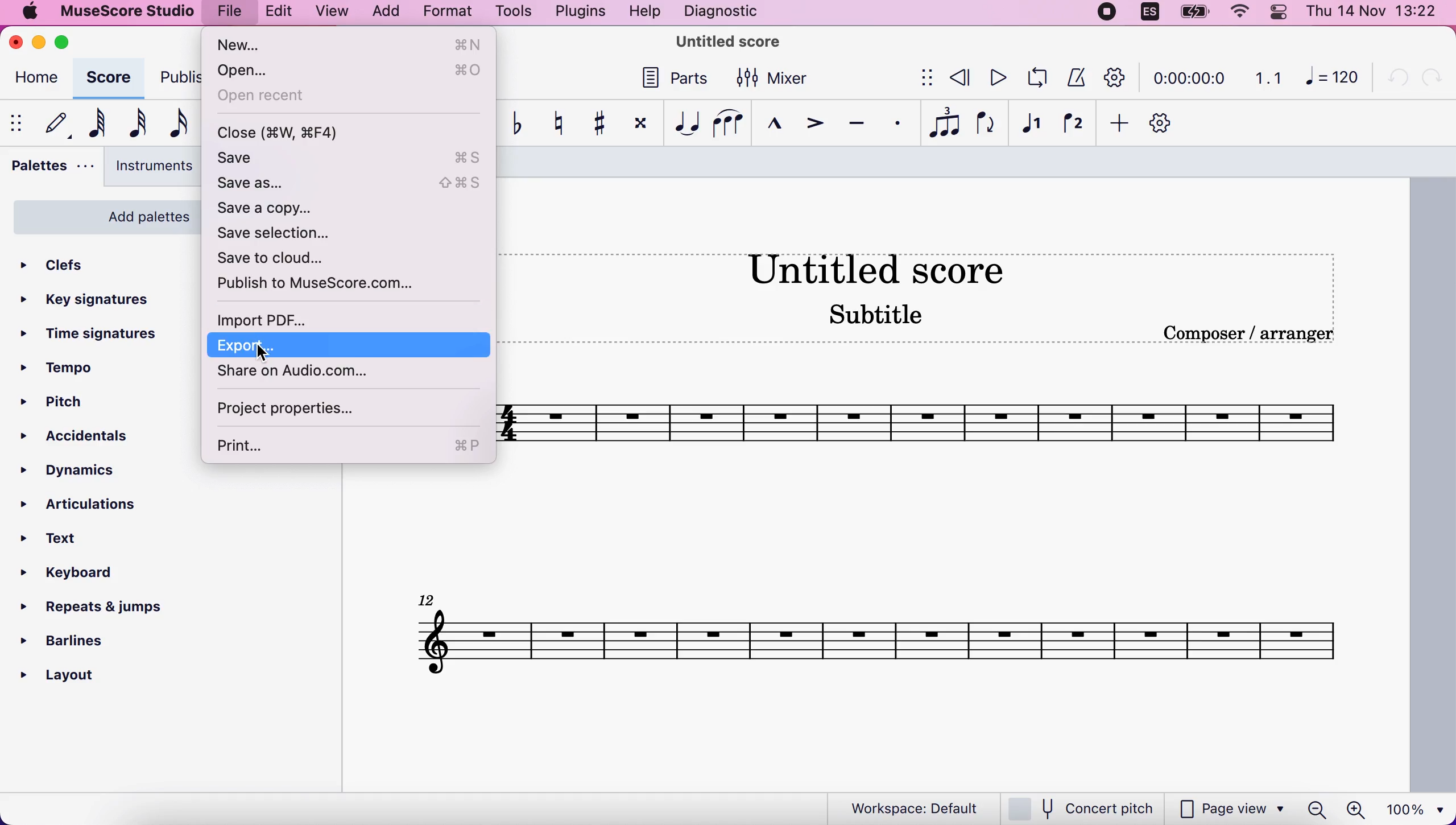 The height and width of the screenshot is (825, 1456). Describe the element at coordinates (723, 10) in the screenshot. I see `diagnostic` at that location.